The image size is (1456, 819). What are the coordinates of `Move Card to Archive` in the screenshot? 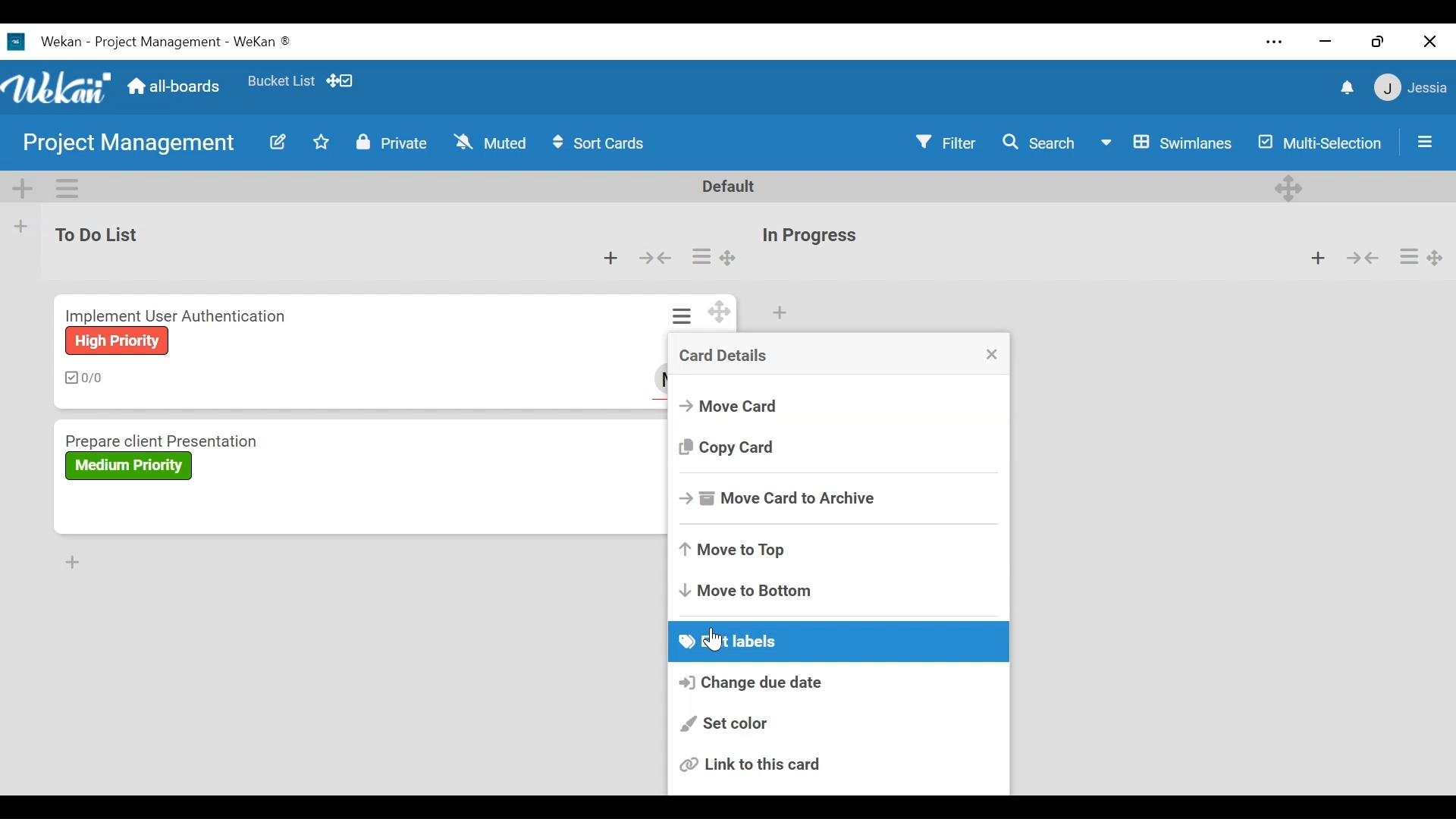 It's located at (839, 501).